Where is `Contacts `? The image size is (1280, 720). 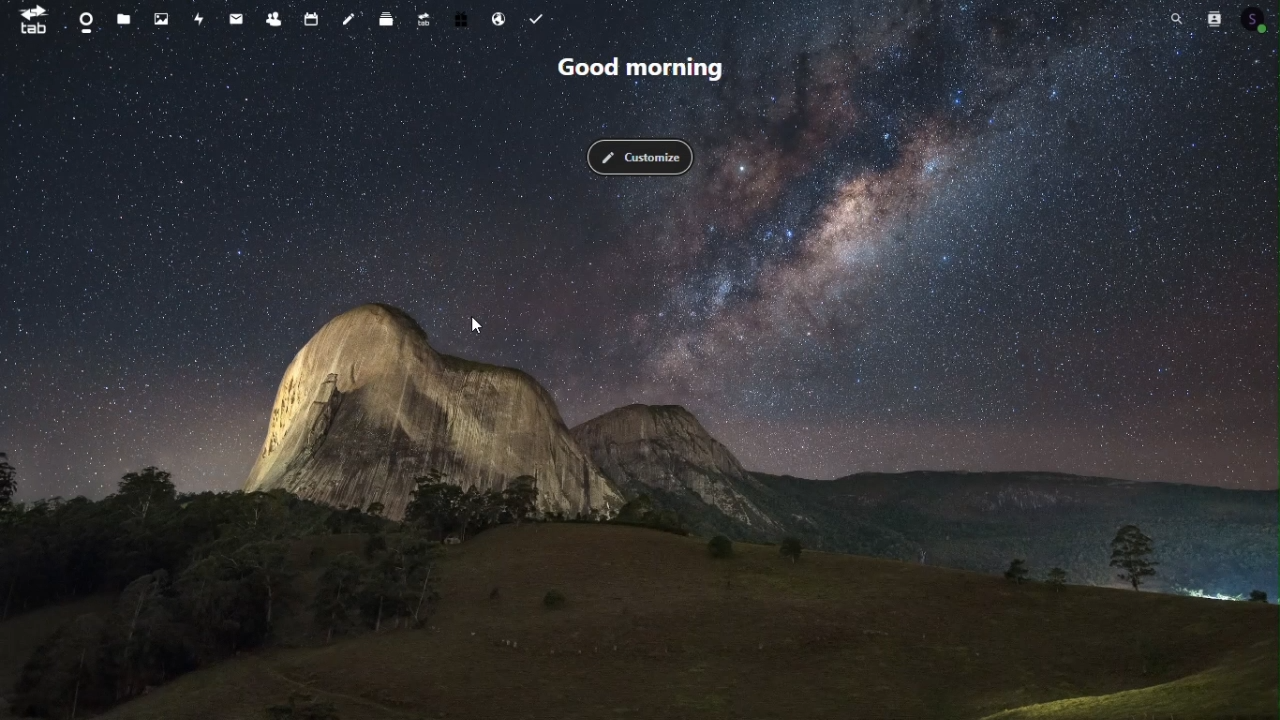 Contacts  is located at coordinates (272, 16).